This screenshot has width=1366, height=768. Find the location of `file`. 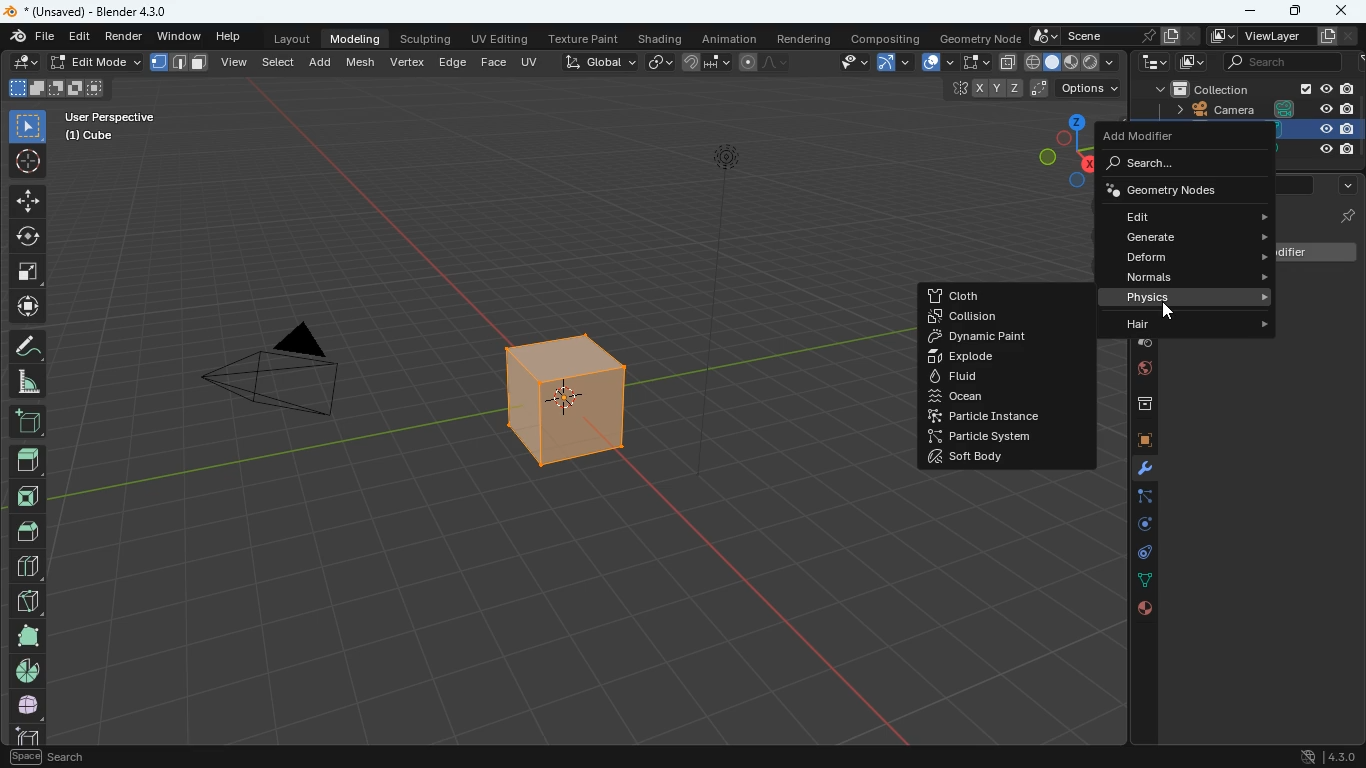

file is located at coordinates (32, 36).